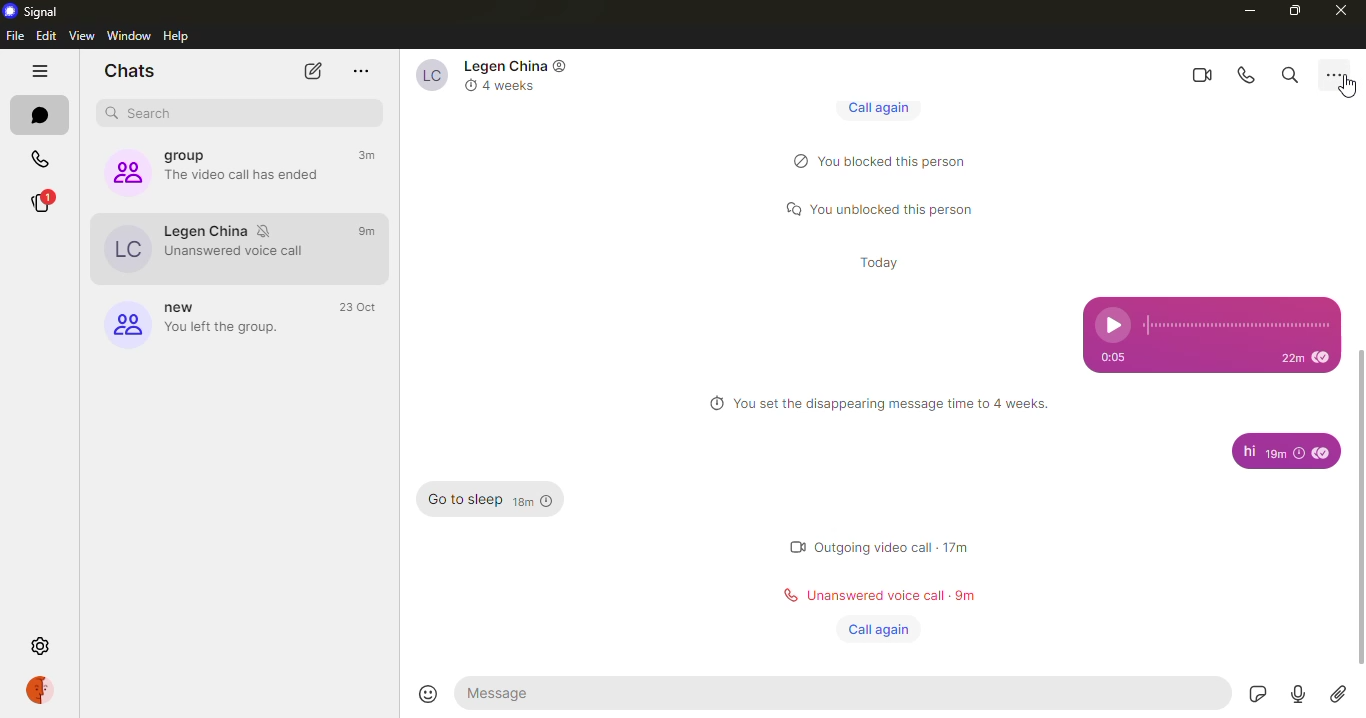 This screenshot has width=1366, height=718. Describe the element at coordinates (82, 36) in the screenshot. I see `view` at that location.